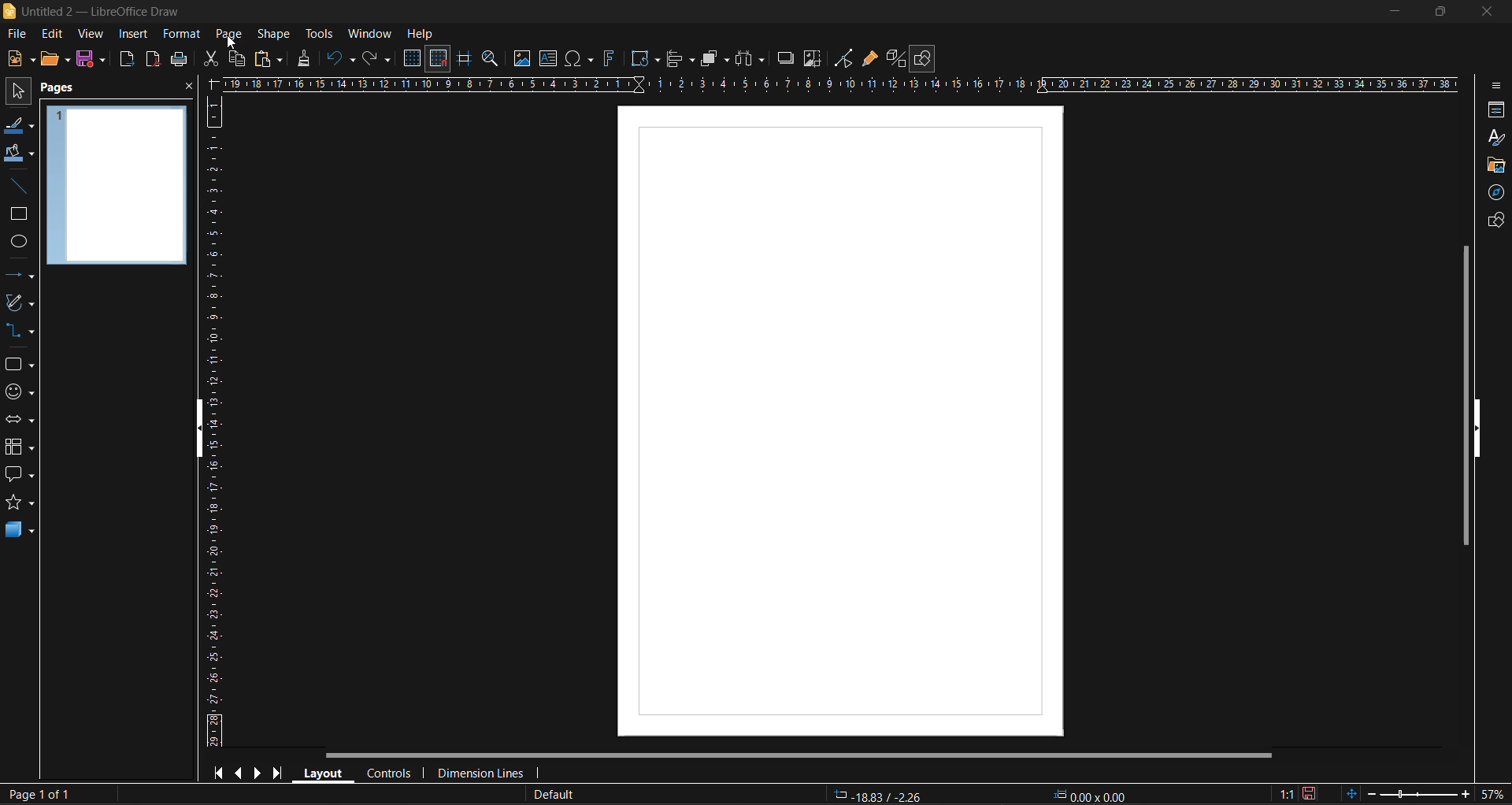  I want to click on window, so click(369, 33).